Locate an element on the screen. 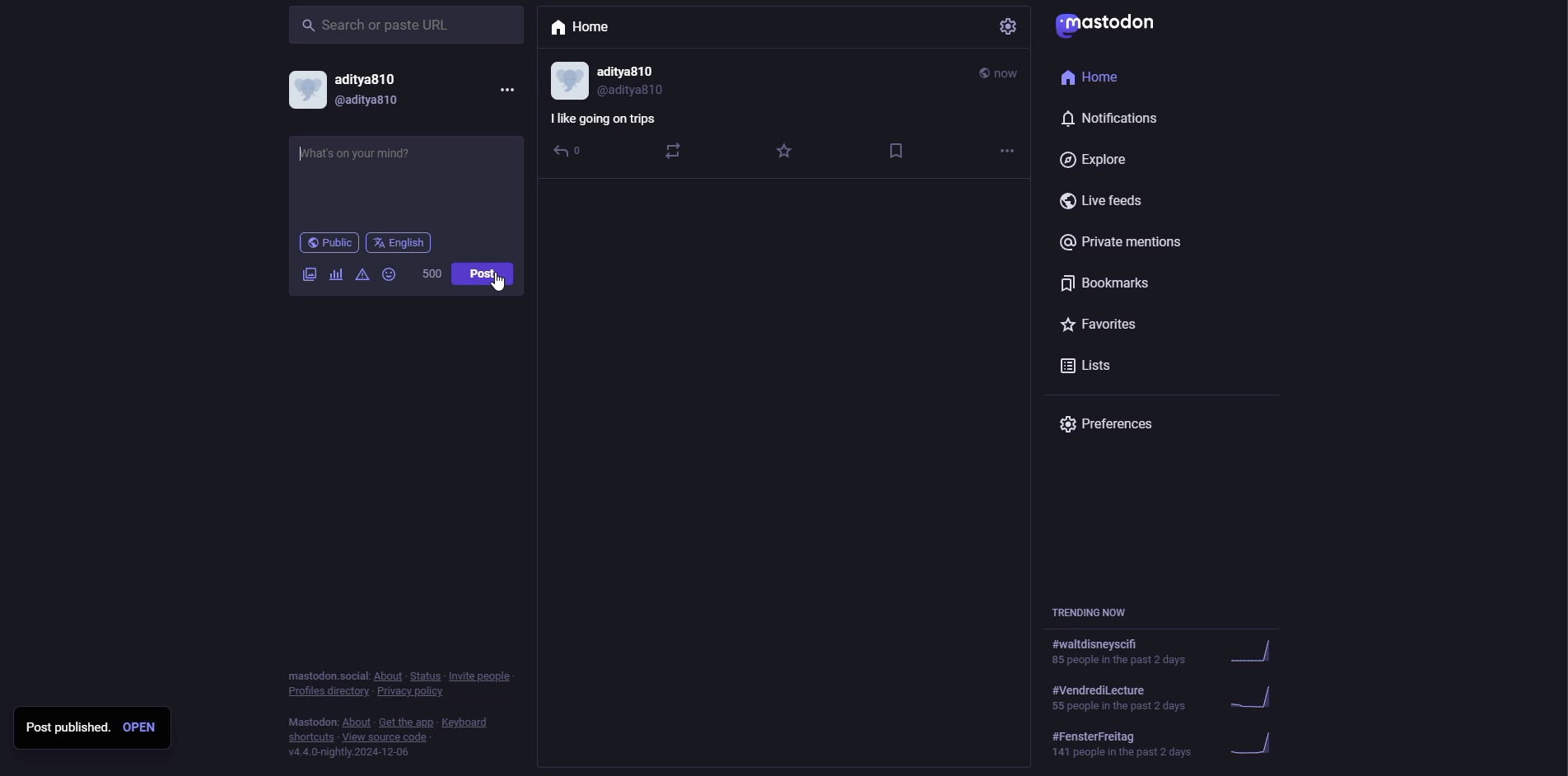 The height and width of the screenshot is (776, 1568). post published is located at coordinates (68, 727).